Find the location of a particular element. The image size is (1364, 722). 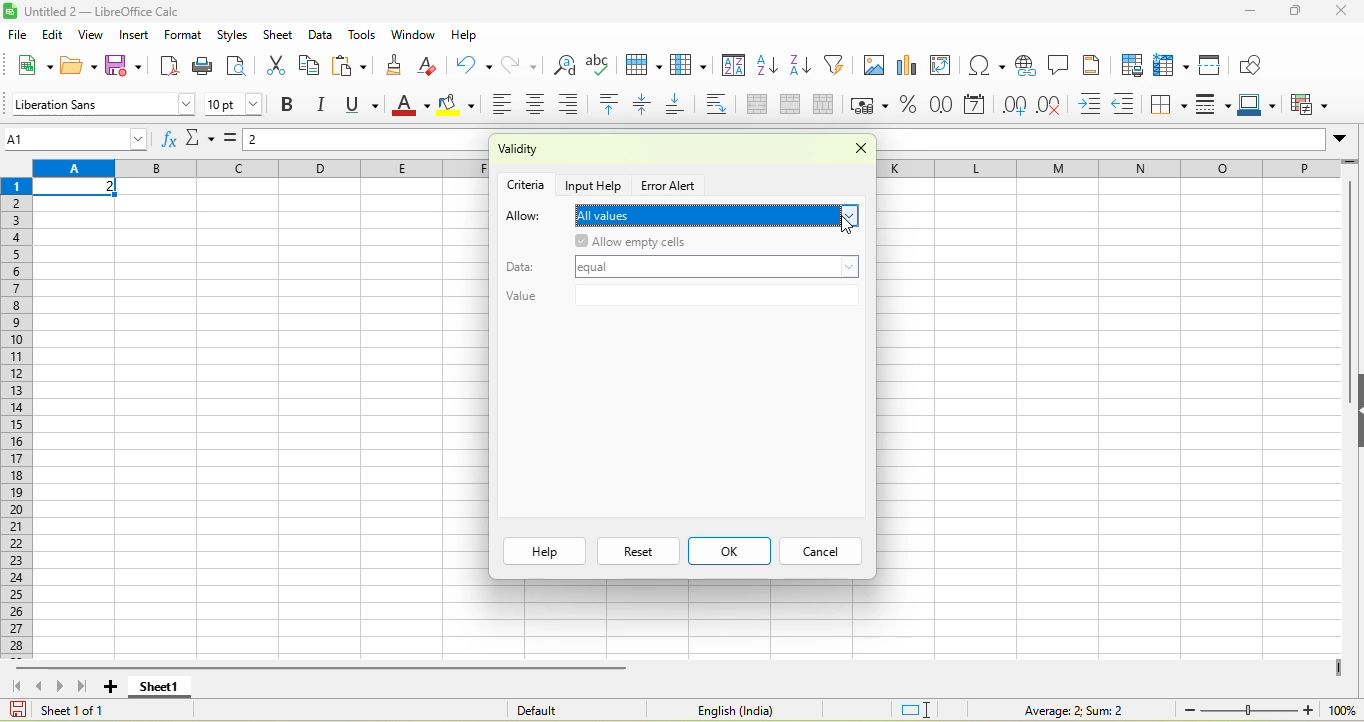

open is located at coordinates (79, 64).